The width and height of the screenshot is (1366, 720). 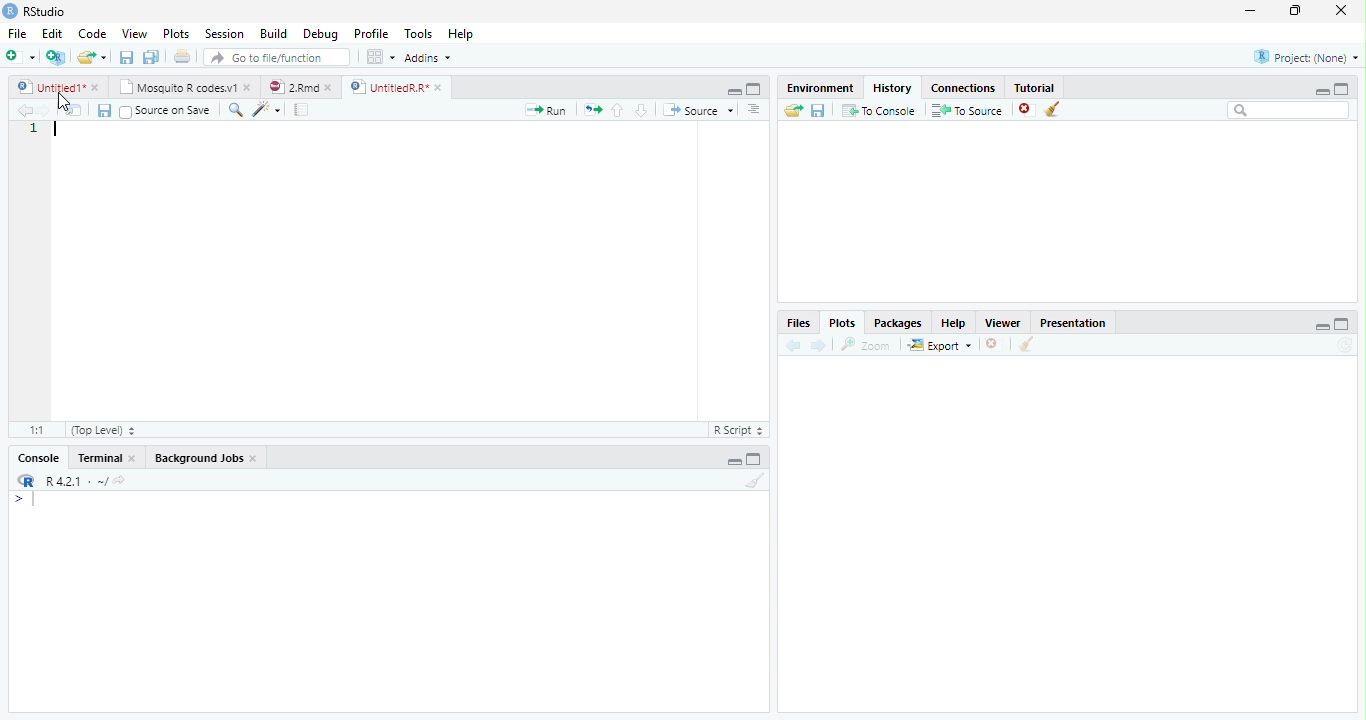 I want to click on Next plot, so click(x=819, y=345).